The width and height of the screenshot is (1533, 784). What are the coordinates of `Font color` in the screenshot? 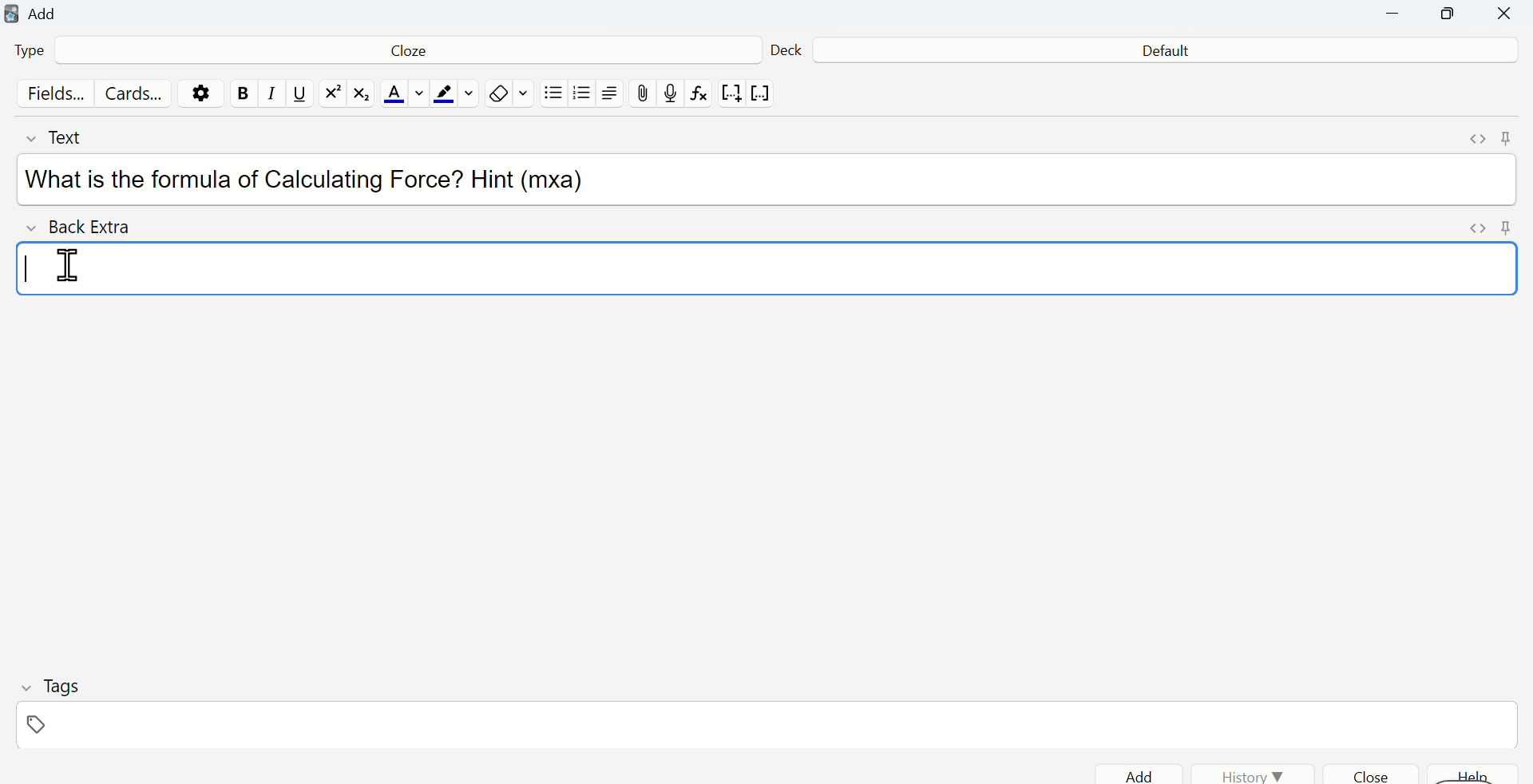 It's located at (401, 95).